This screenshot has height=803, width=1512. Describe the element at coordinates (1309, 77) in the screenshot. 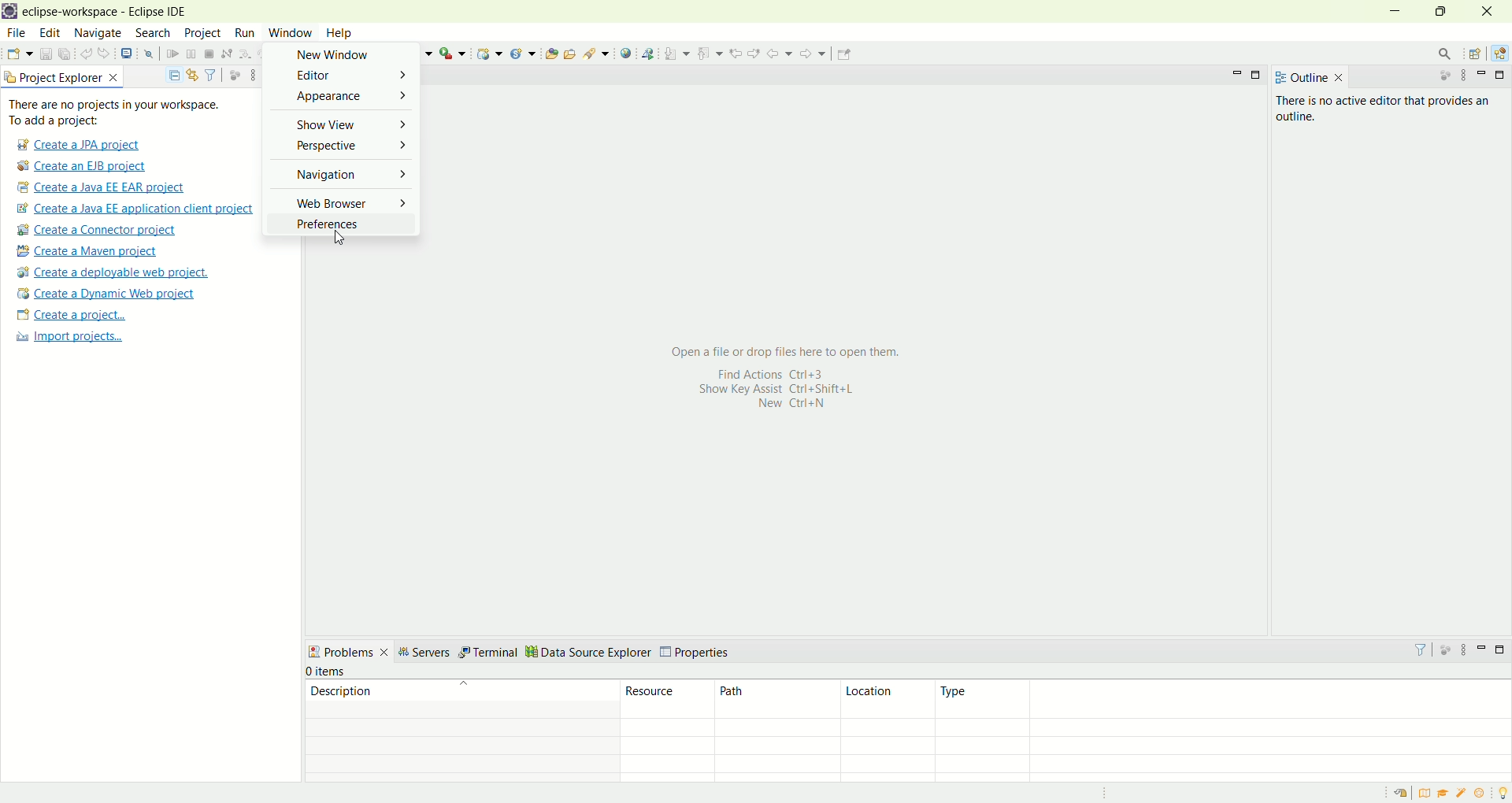

I see `outline` at that location.